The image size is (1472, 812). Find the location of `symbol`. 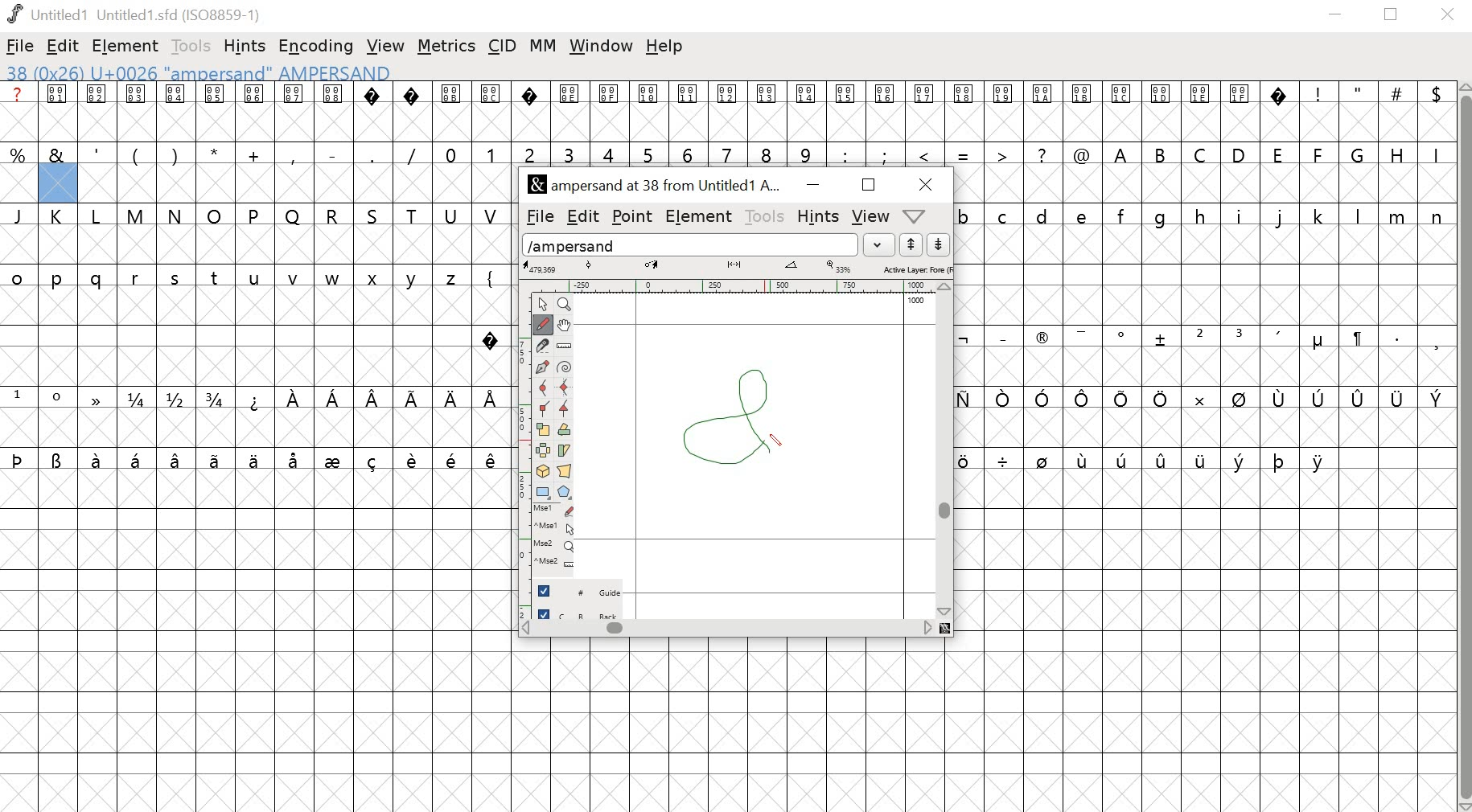

symbol is located at coordinates (217, 459).